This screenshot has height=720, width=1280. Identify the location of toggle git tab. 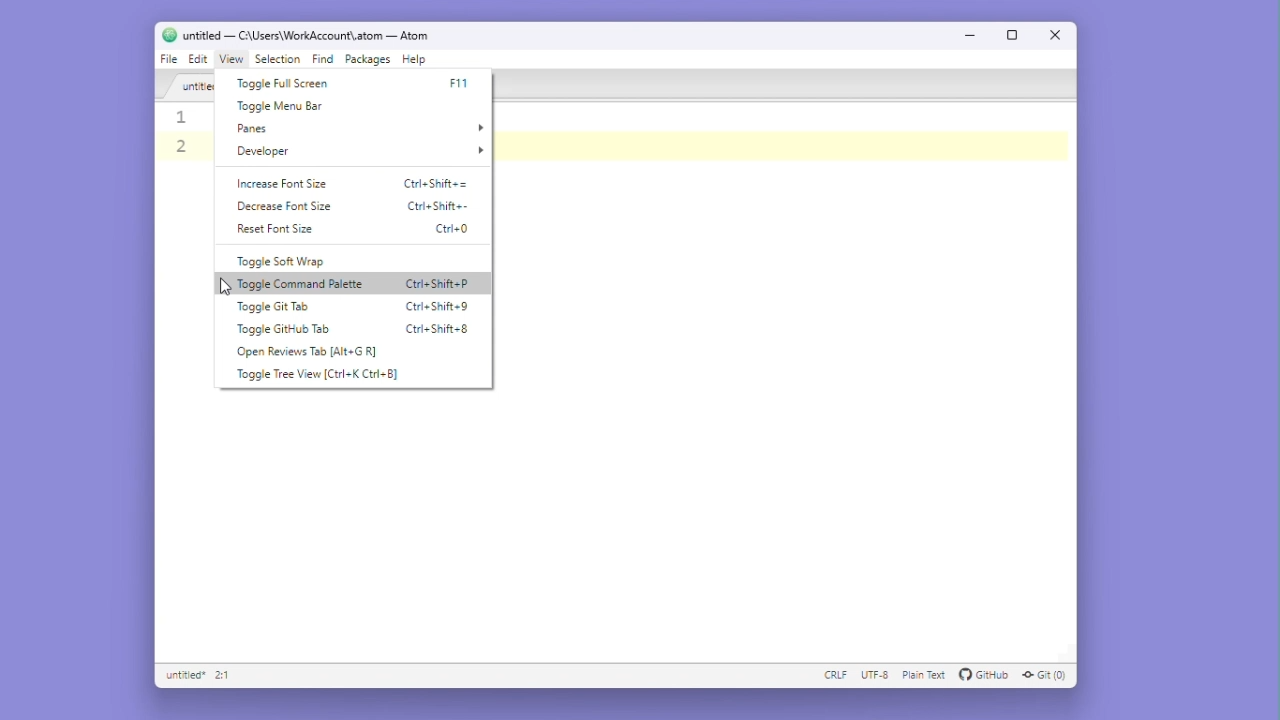
(274, 307).